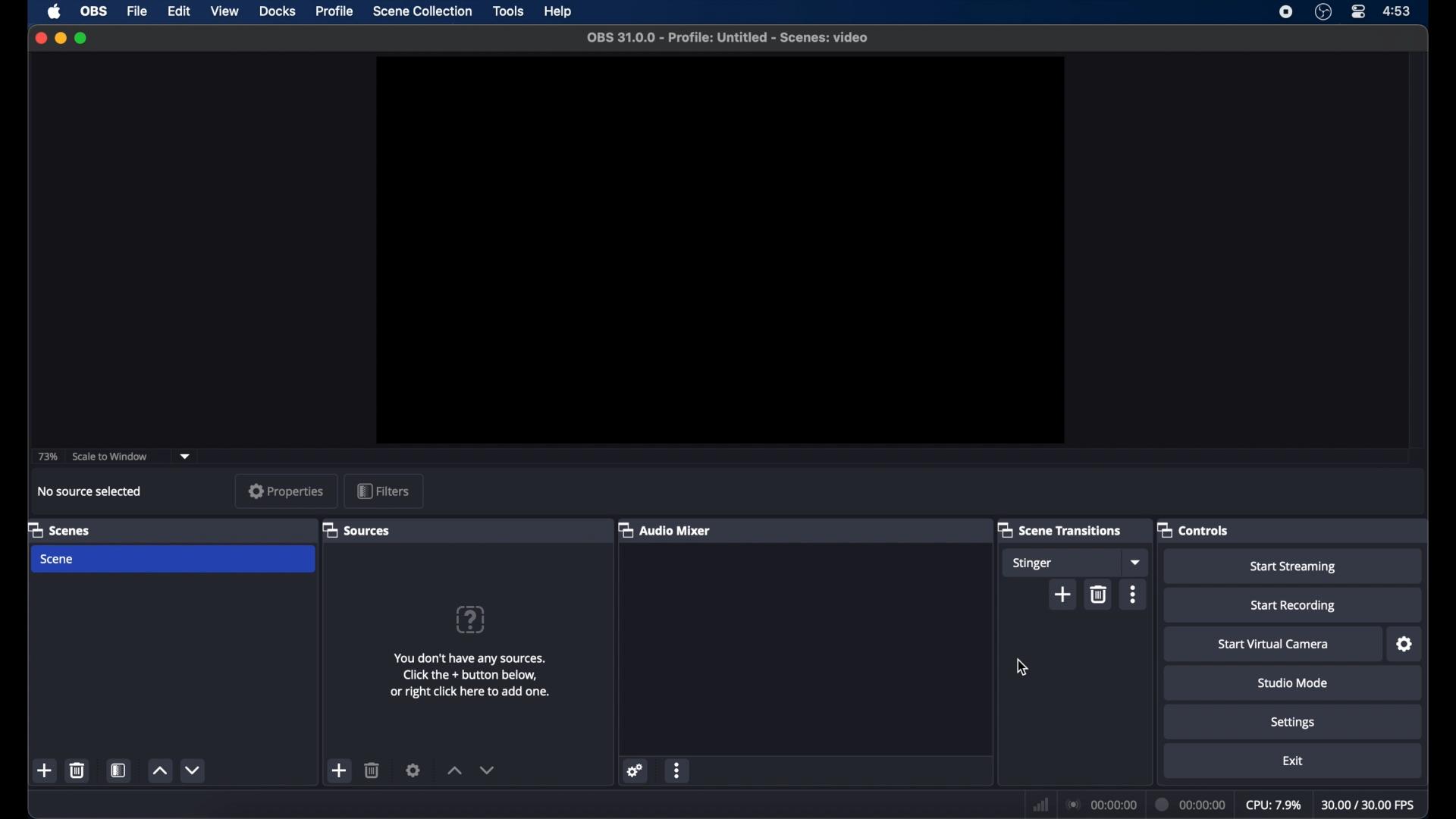  I want to click on decrement, so click(487, 770).